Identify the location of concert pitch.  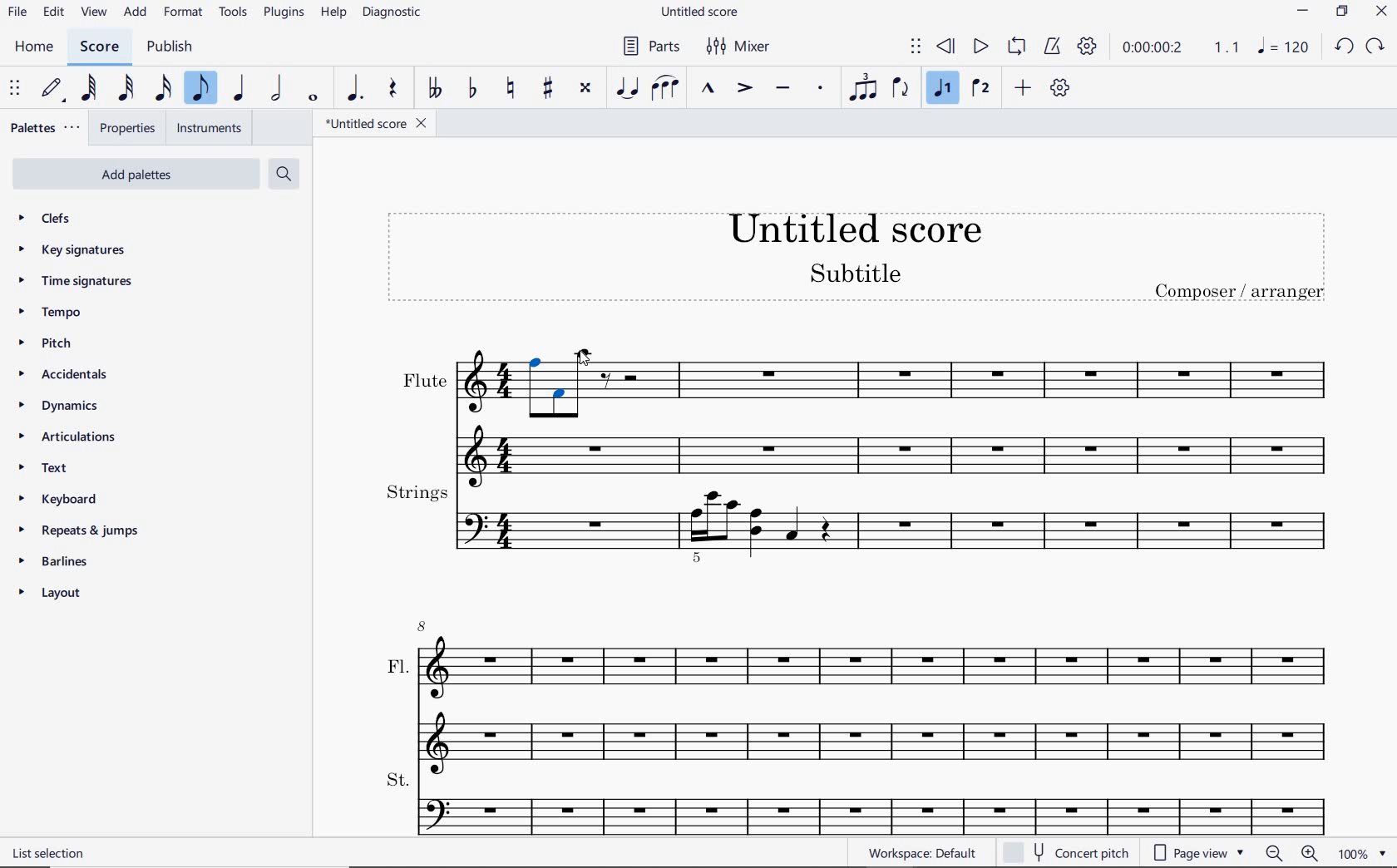
(1068, 851).